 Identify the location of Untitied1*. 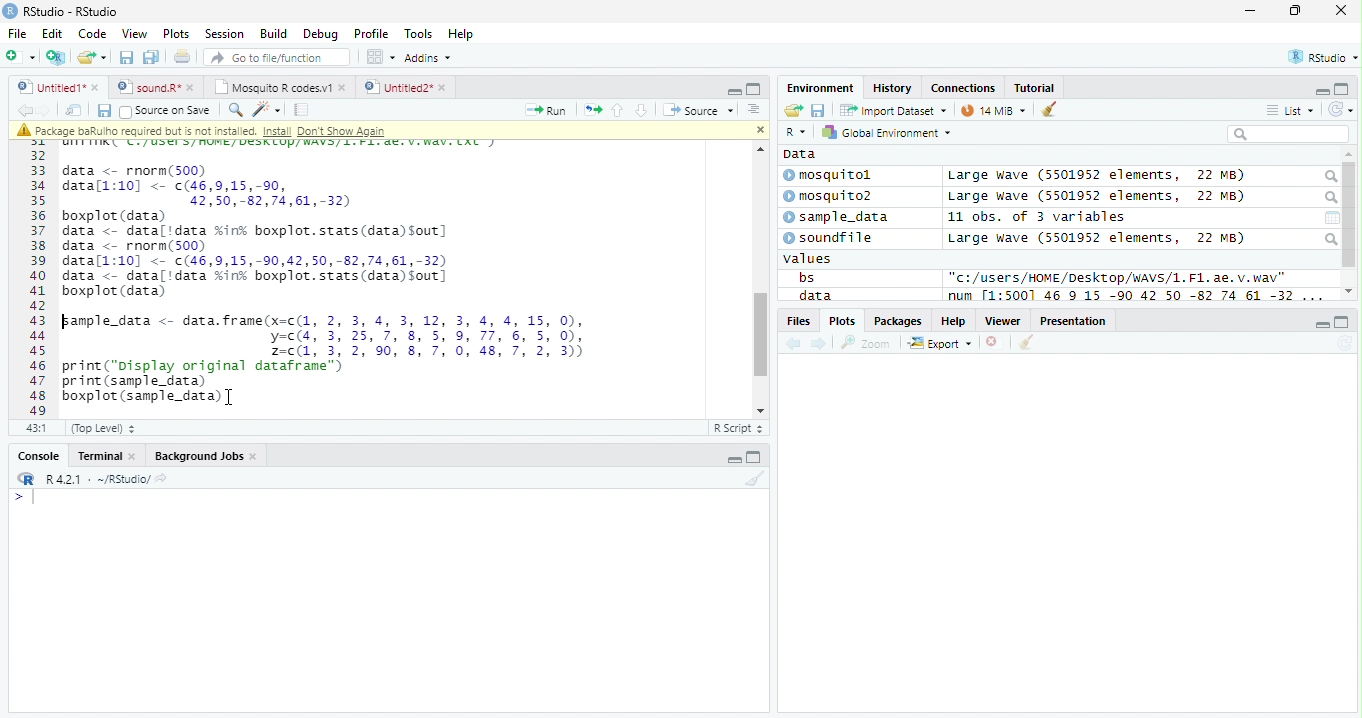
(58, 87).